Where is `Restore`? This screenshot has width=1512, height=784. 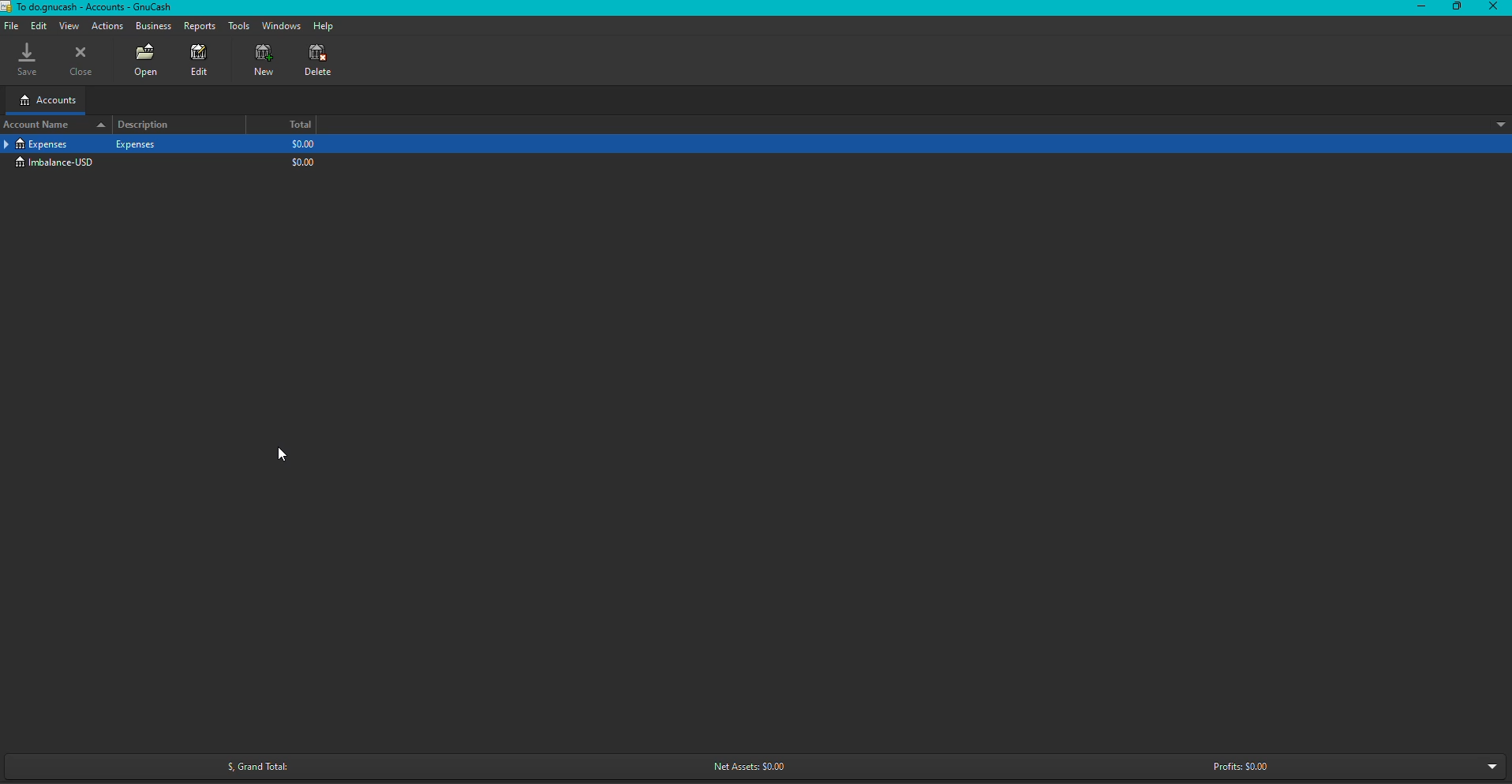 Restore is located at coordinates (1453, 7).